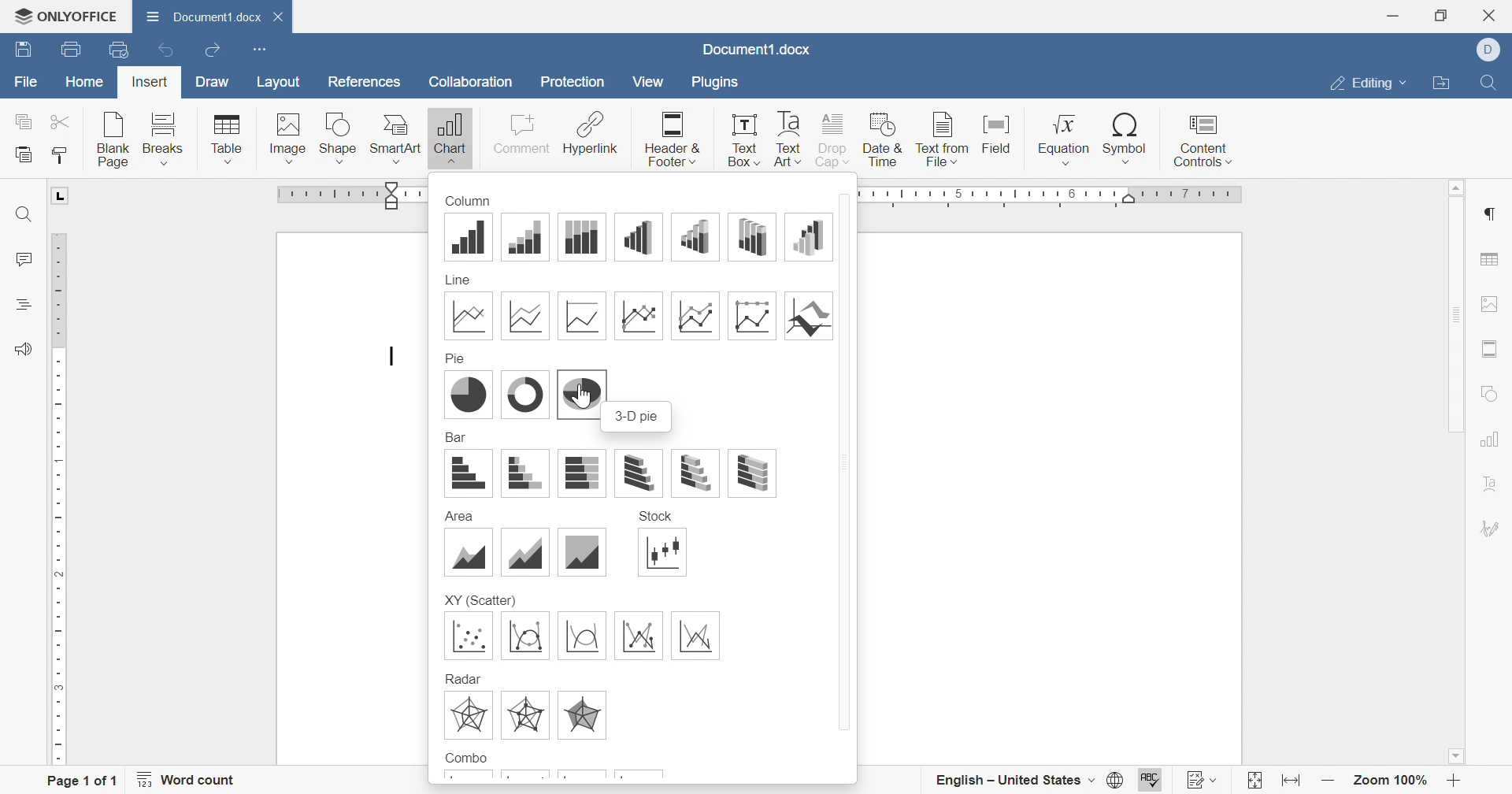  Describe the element at coordinates (117, 50) in the screenshot. I see `Quick print` at that location.